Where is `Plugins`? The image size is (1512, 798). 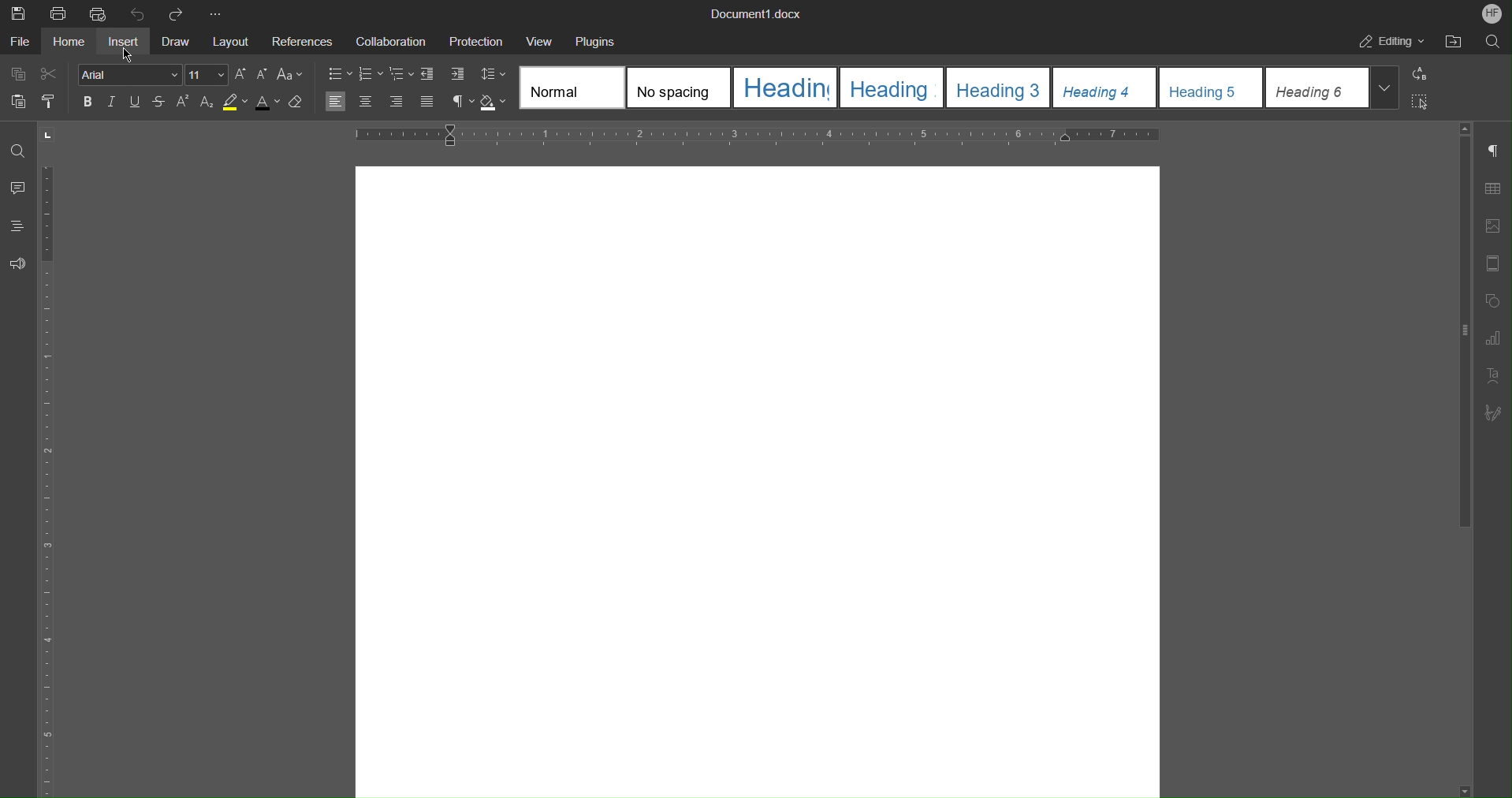
Plugins is located at coordinates (595, 40).